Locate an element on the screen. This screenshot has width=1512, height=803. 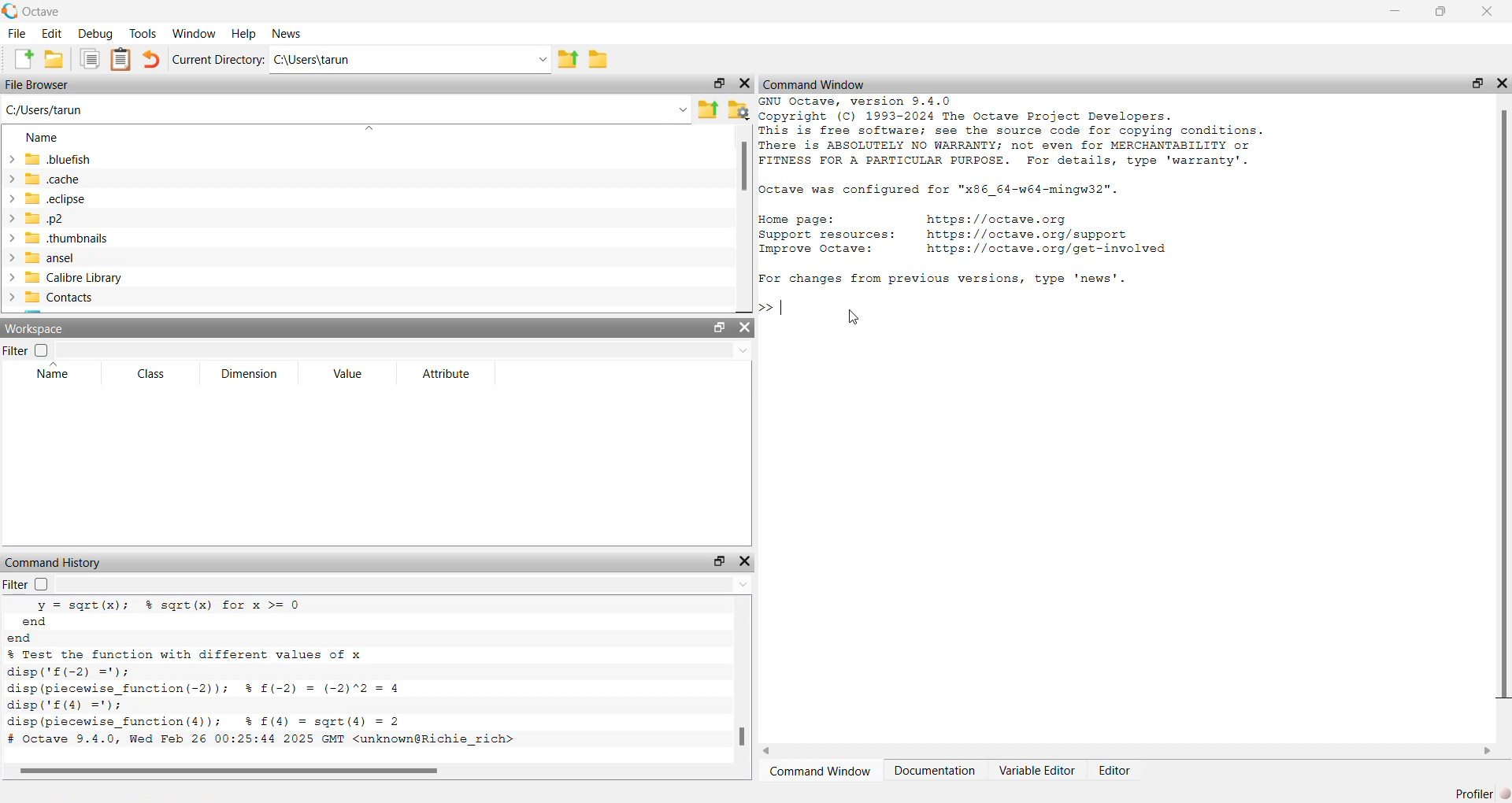
Class is located at coordinates (151, 373).